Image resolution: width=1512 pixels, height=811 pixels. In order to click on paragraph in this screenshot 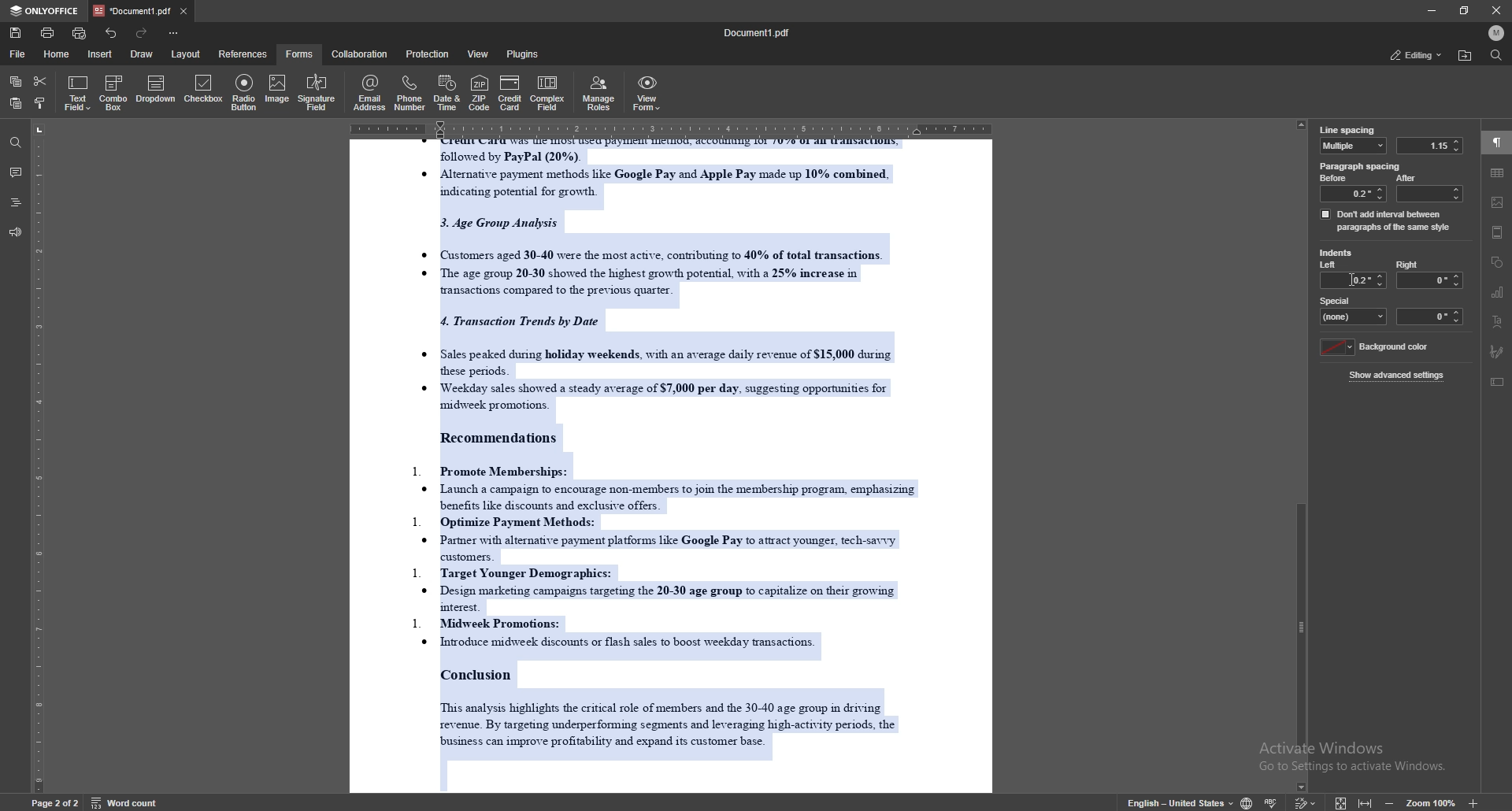, I will do `click(1497, 143)`.